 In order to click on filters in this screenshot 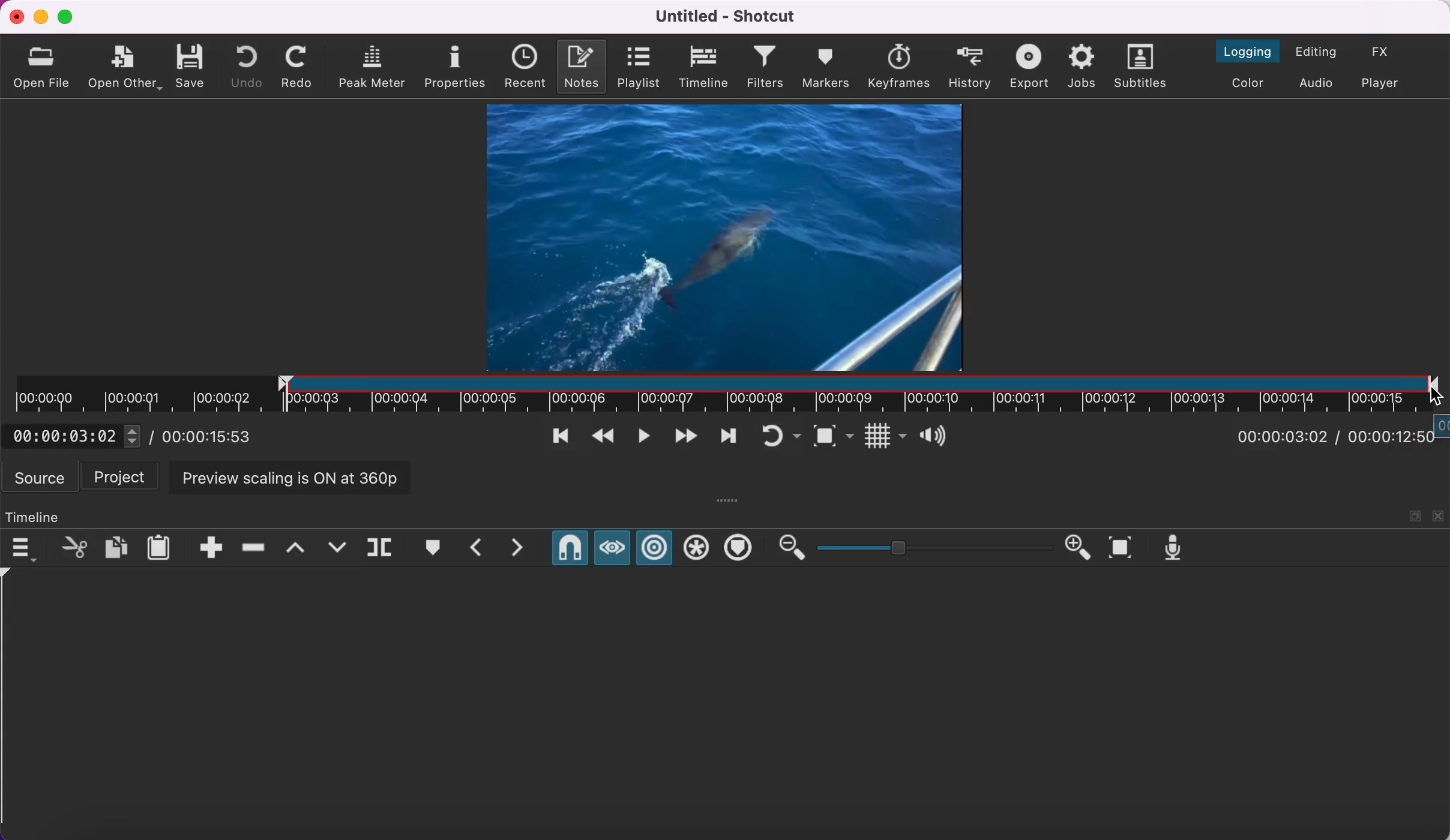, I will do `click(766, 67)`.